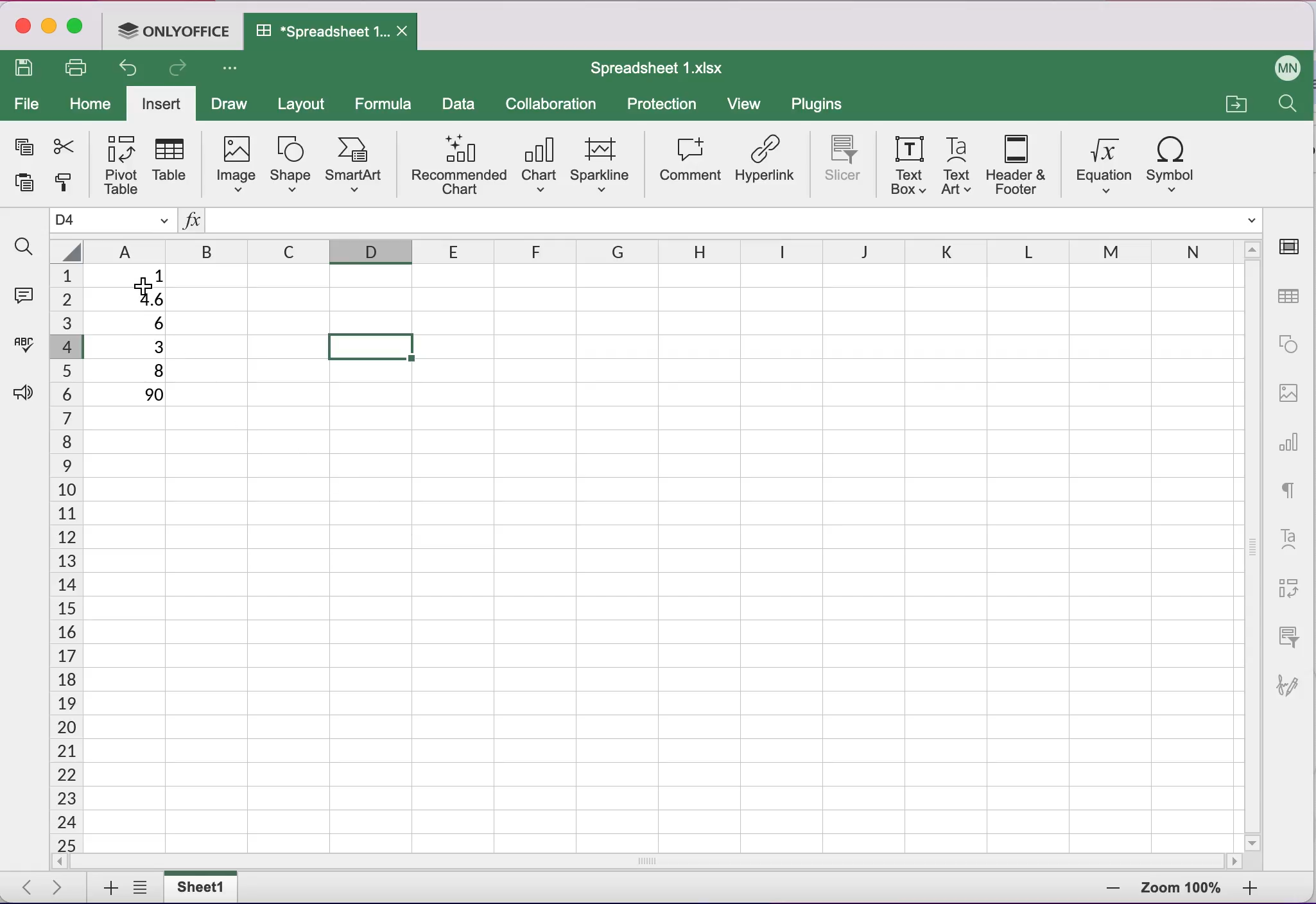  Describe the element at coordinates (456, 167) in the screenshot. I see `recommended chart` at that location.